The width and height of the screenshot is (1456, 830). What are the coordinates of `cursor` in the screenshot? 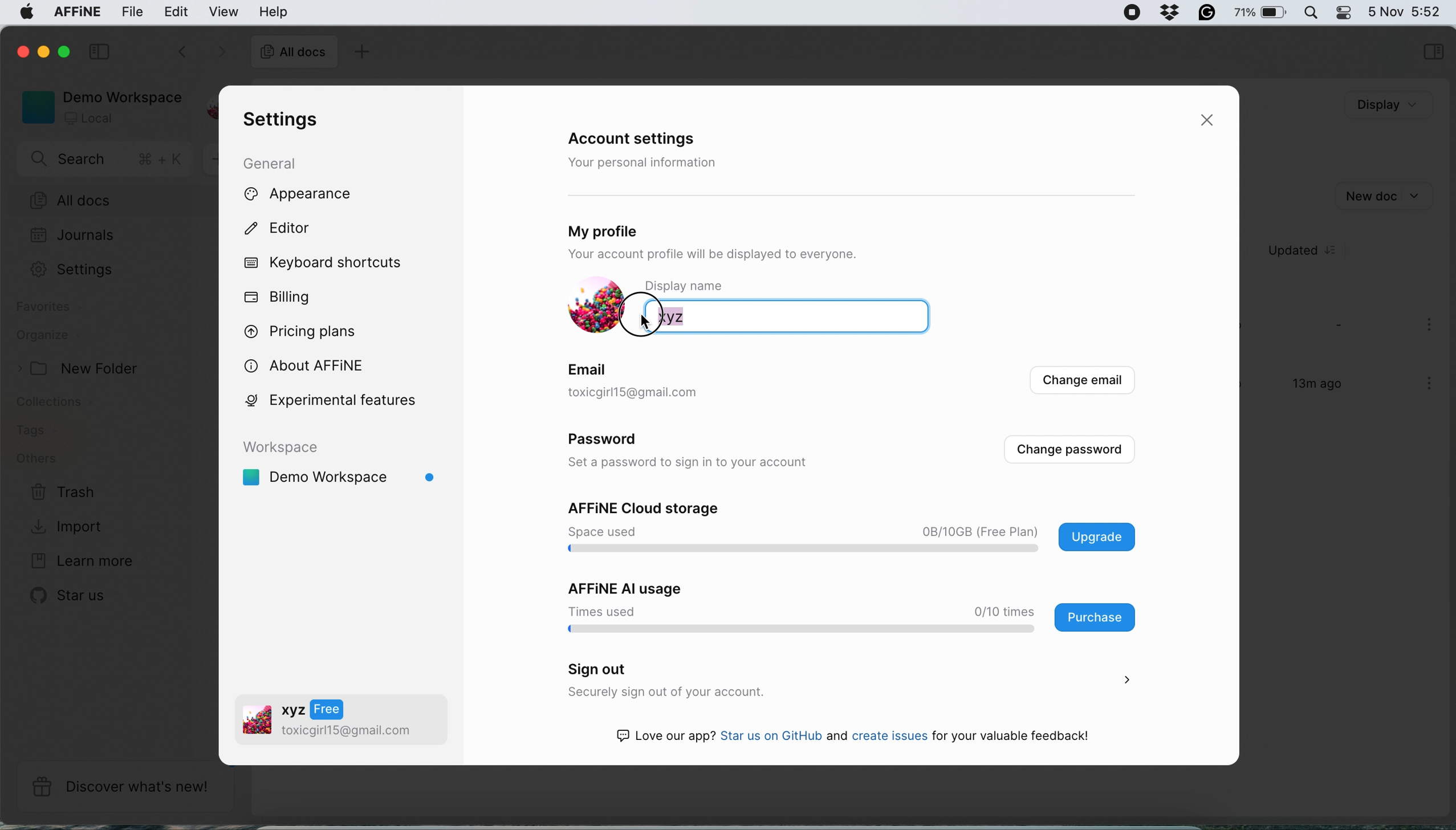 It's located at (645, 326).